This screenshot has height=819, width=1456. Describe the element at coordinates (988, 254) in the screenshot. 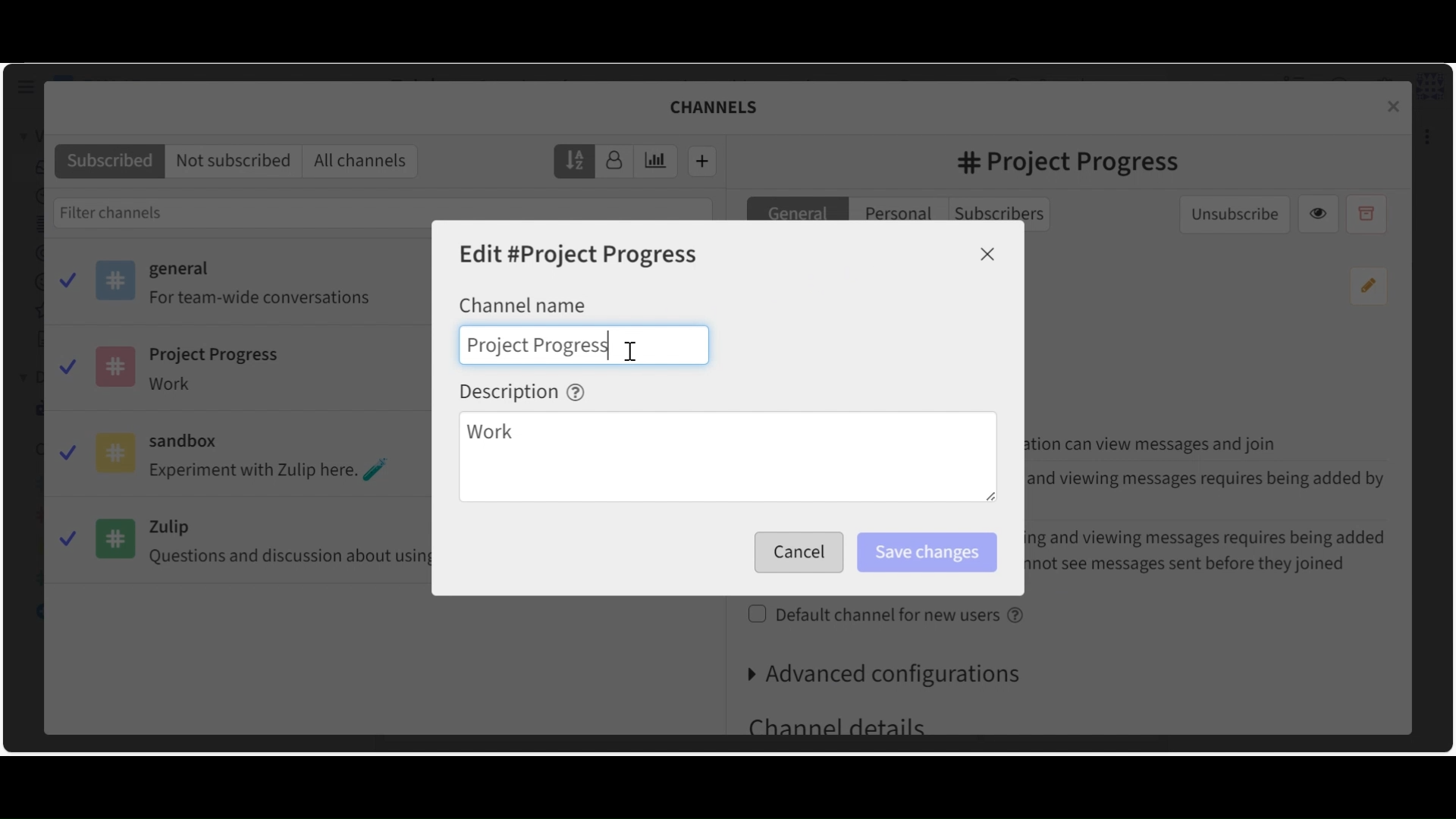

I see `Close` at that location.